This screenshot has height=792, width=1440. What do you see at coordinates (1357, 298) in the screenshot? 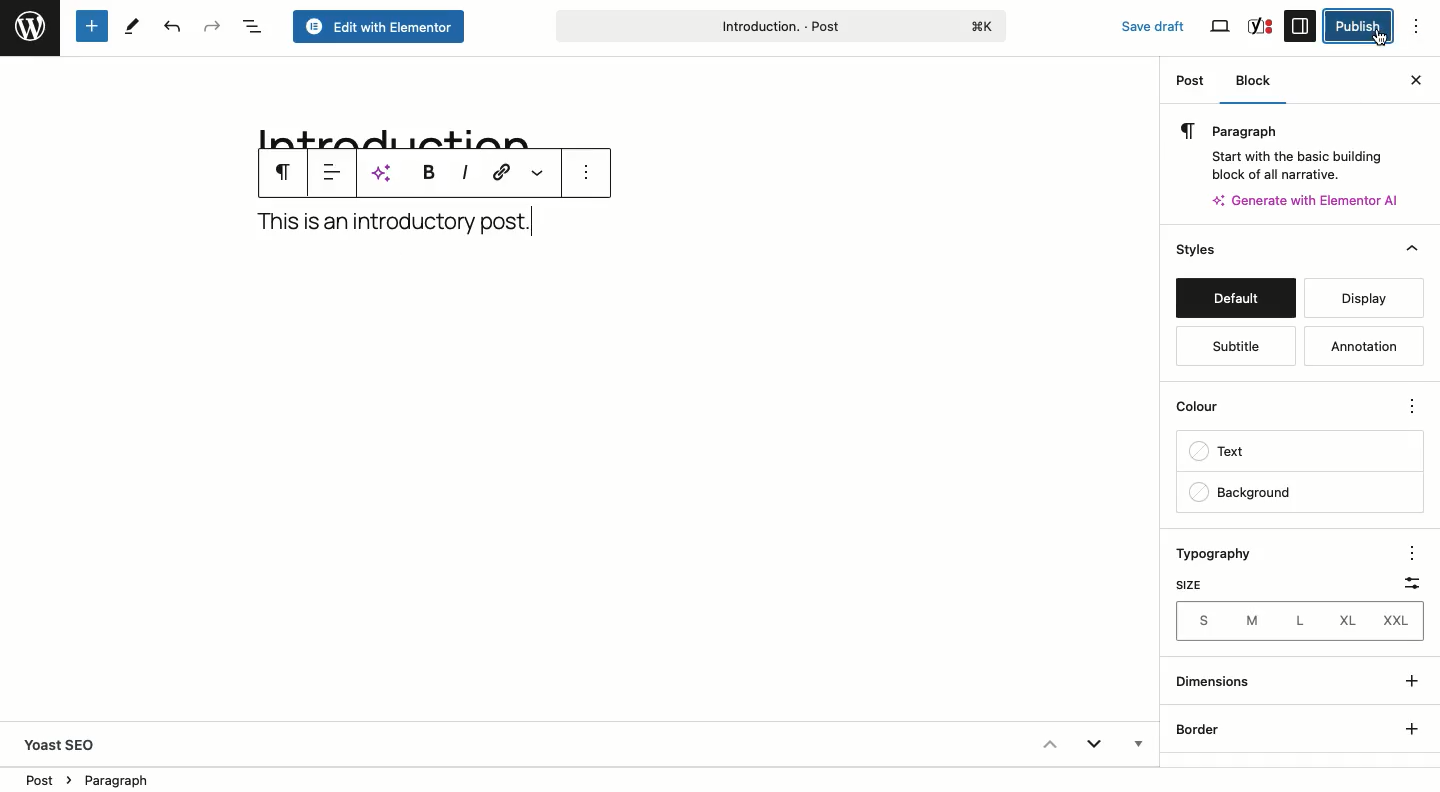
I see `Display` at bounding box center [1357, 298].